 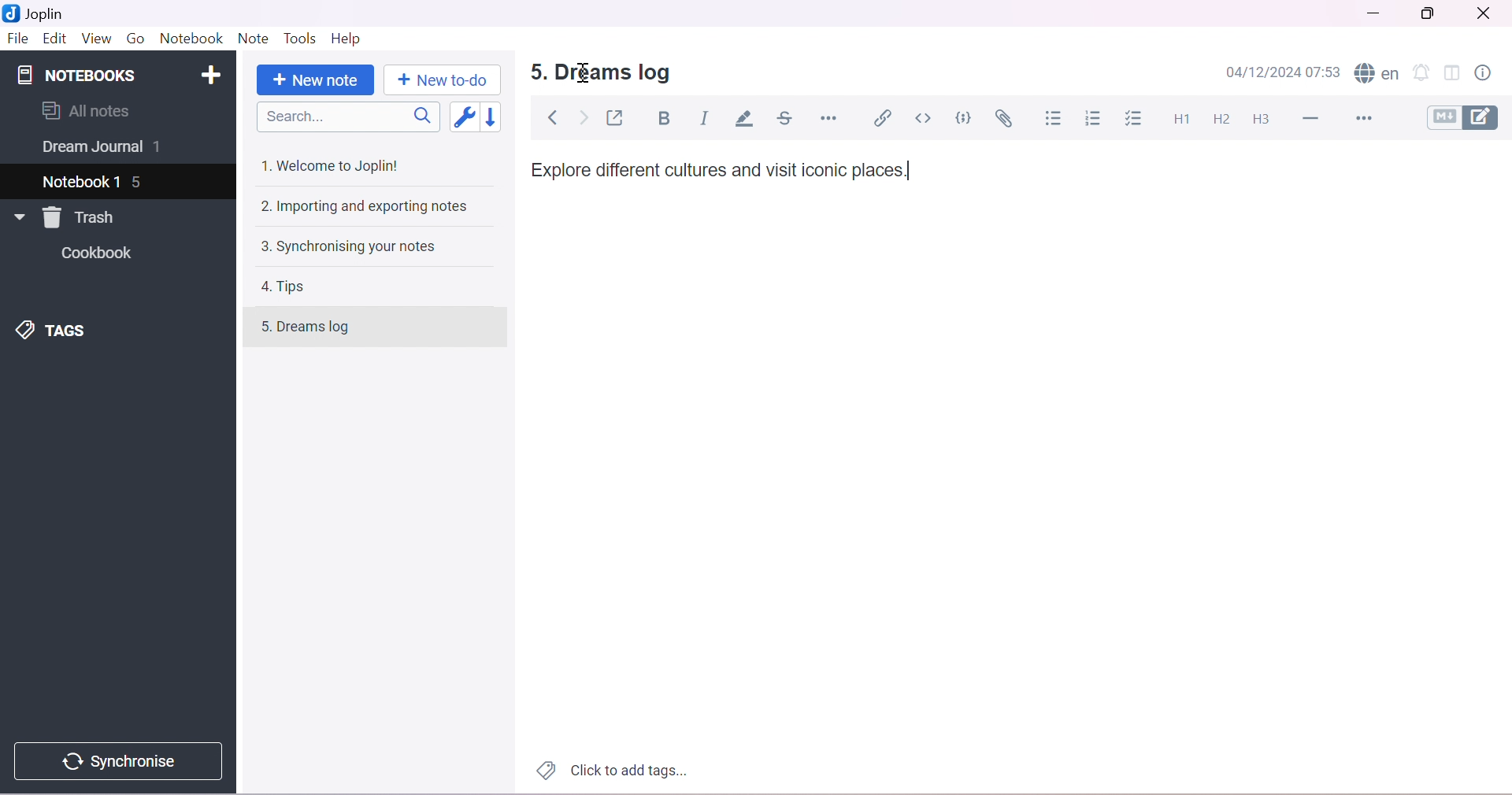 I want to click on Forward, so click(x=584, y=120).